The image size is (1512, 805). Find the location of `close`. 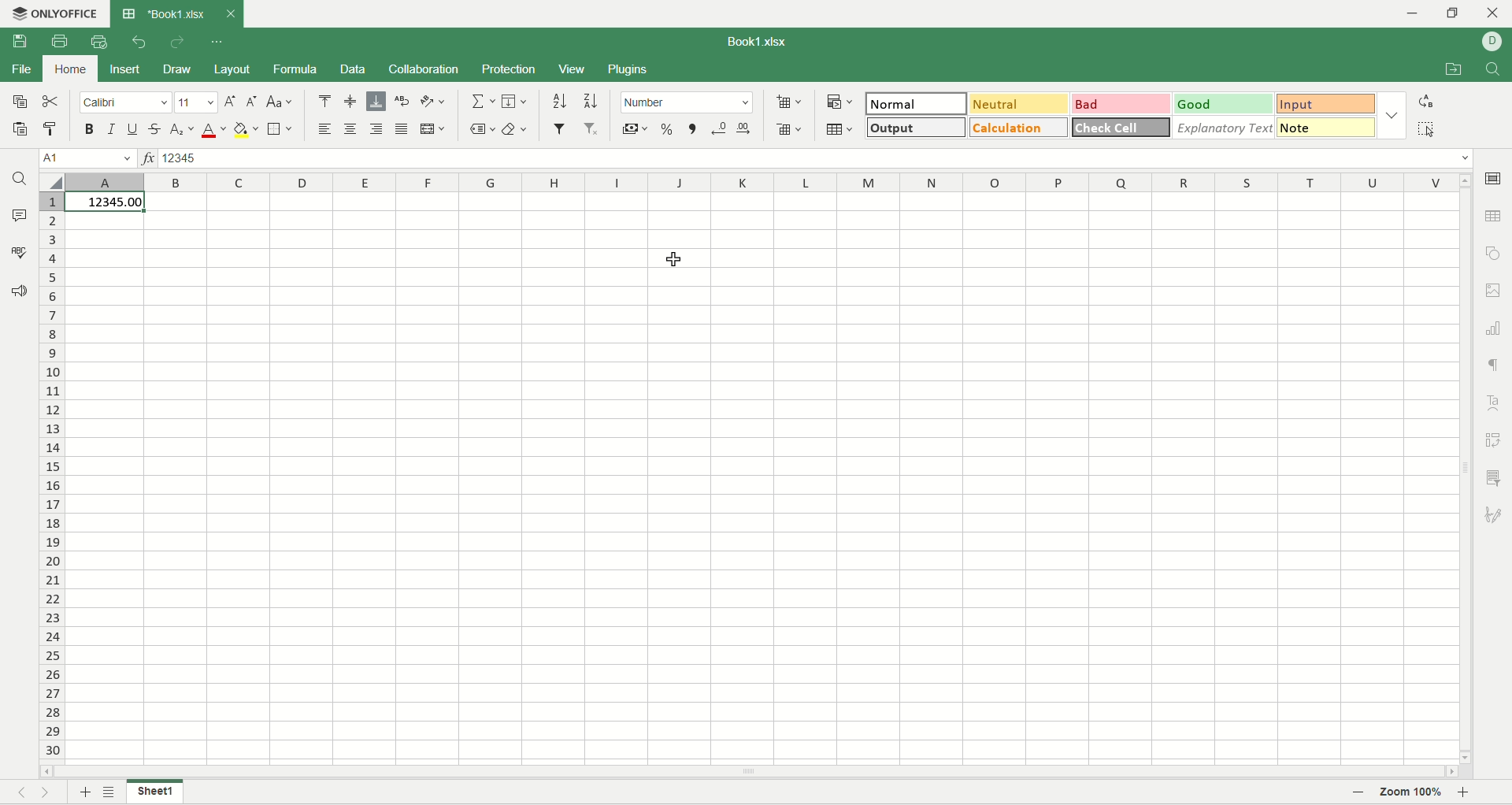

close is located at coordinates (1492, 13).